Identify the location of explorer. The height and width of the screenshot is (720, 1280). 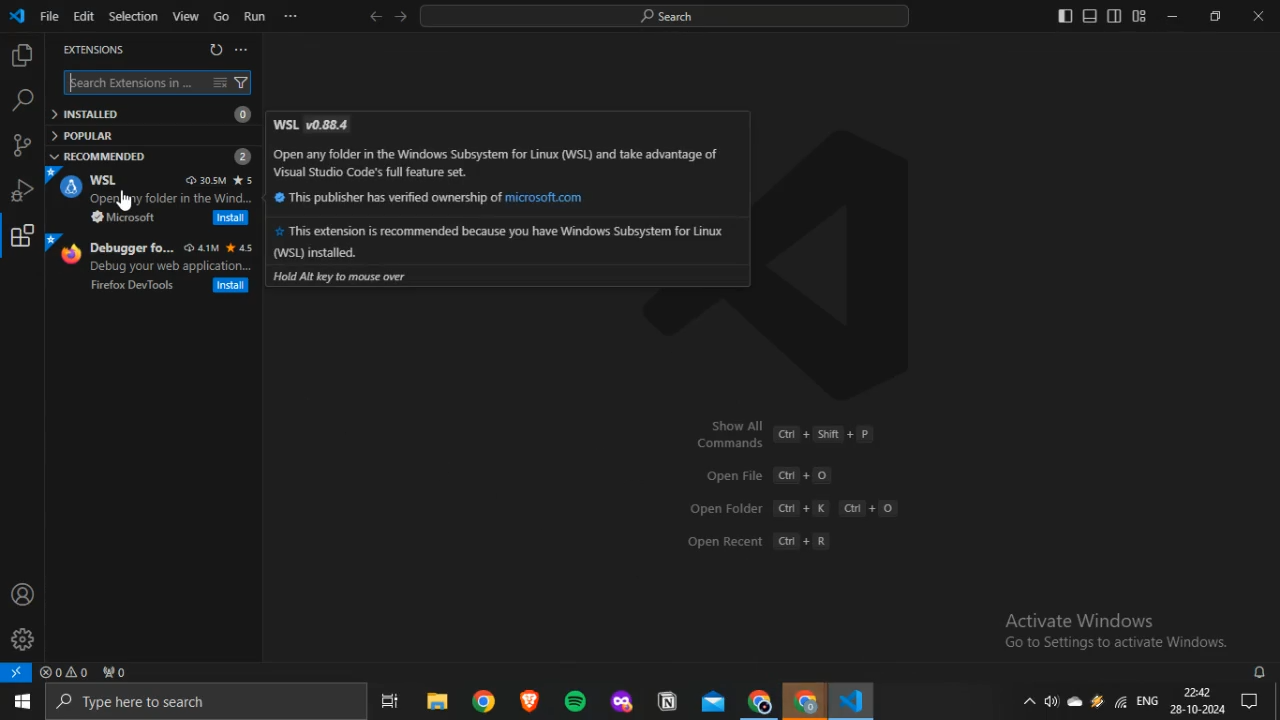
(21, 56).